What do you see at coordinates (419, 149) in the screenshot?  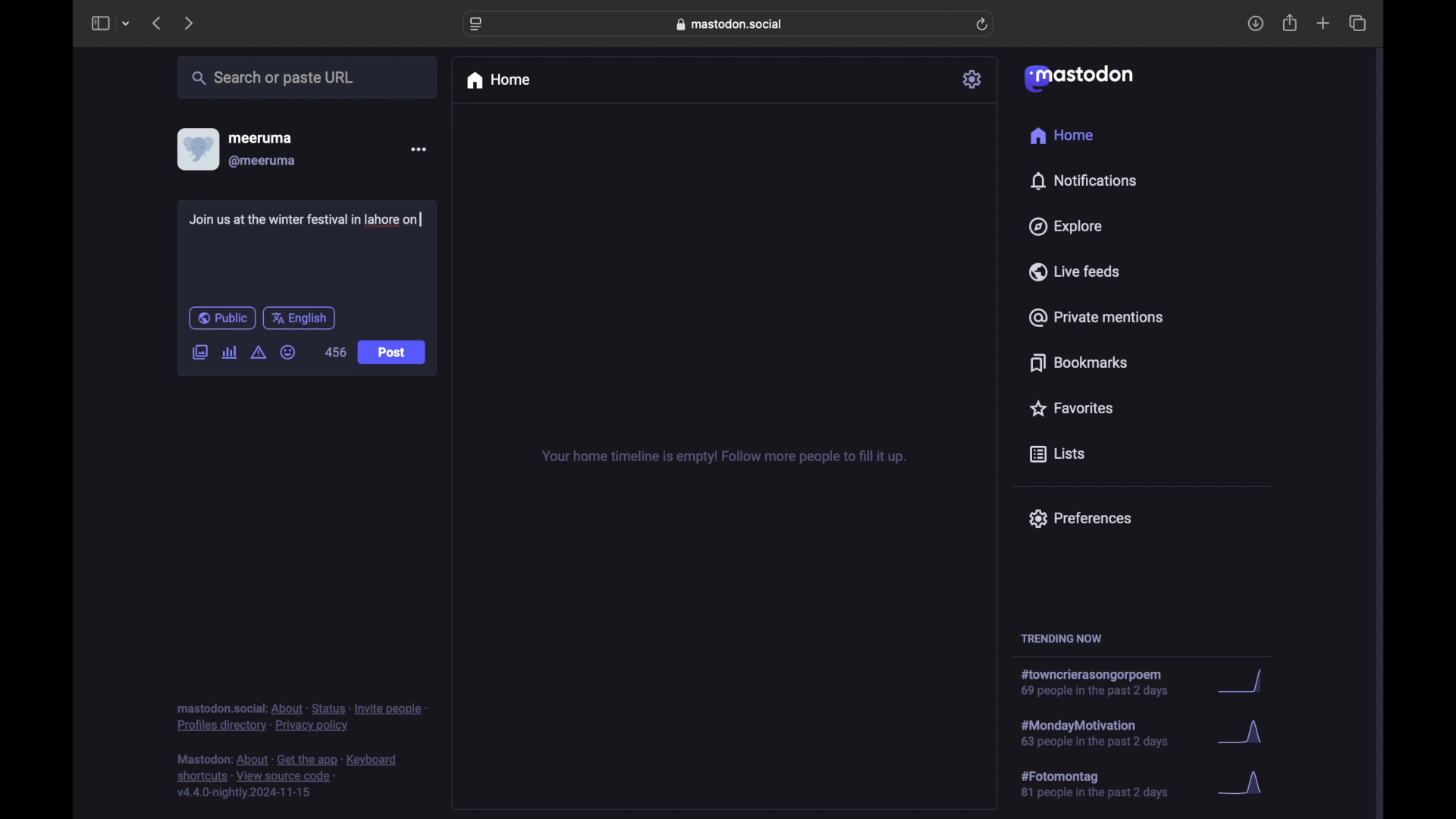 I see `more options` at bounding box center [419, 149].